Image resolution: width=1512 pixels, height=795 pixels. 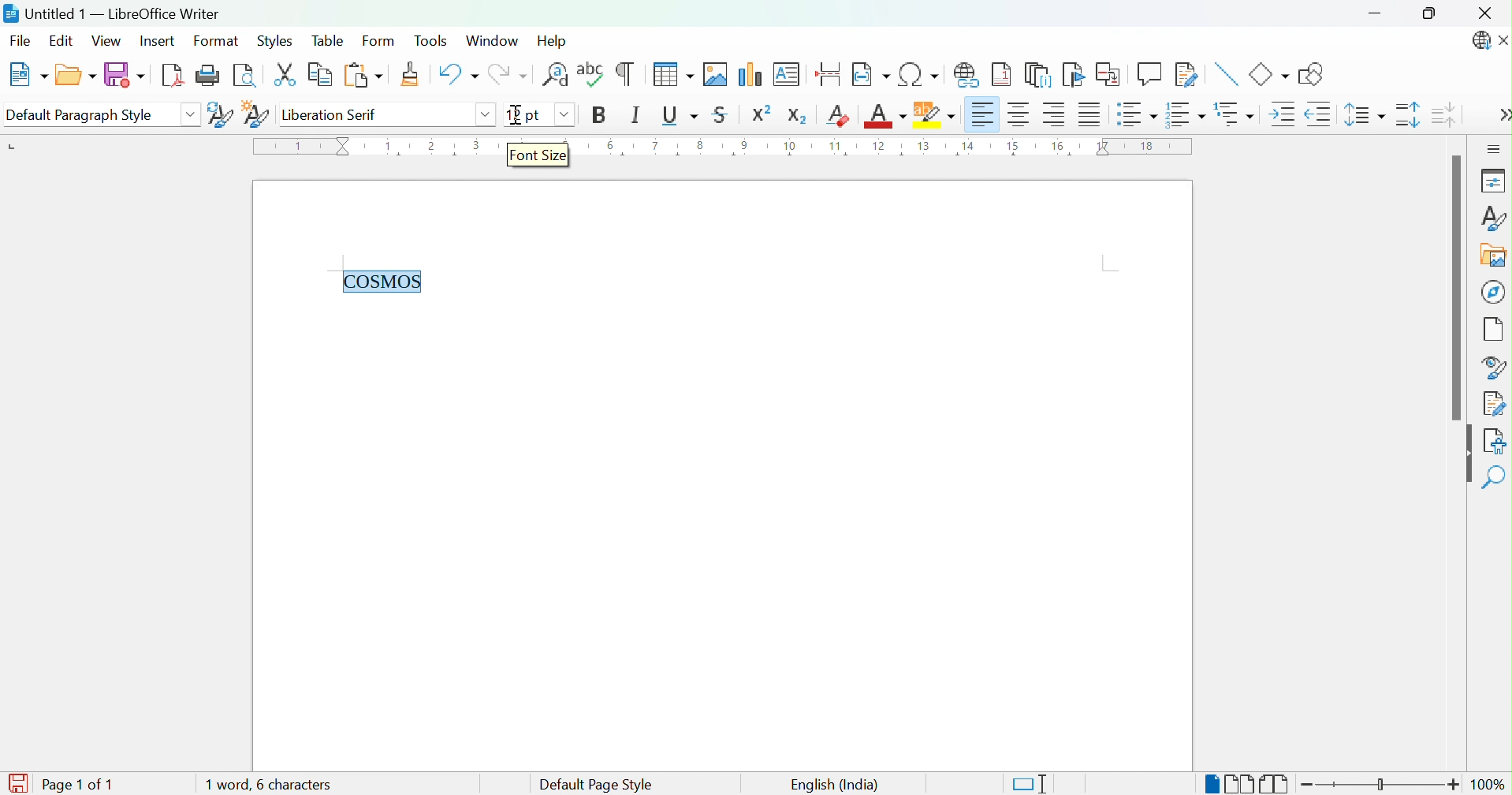 What do you see at coordinates (76, 784) in the screenshot?
I see `Page 1 of 1` at bounding box center [76, 784].